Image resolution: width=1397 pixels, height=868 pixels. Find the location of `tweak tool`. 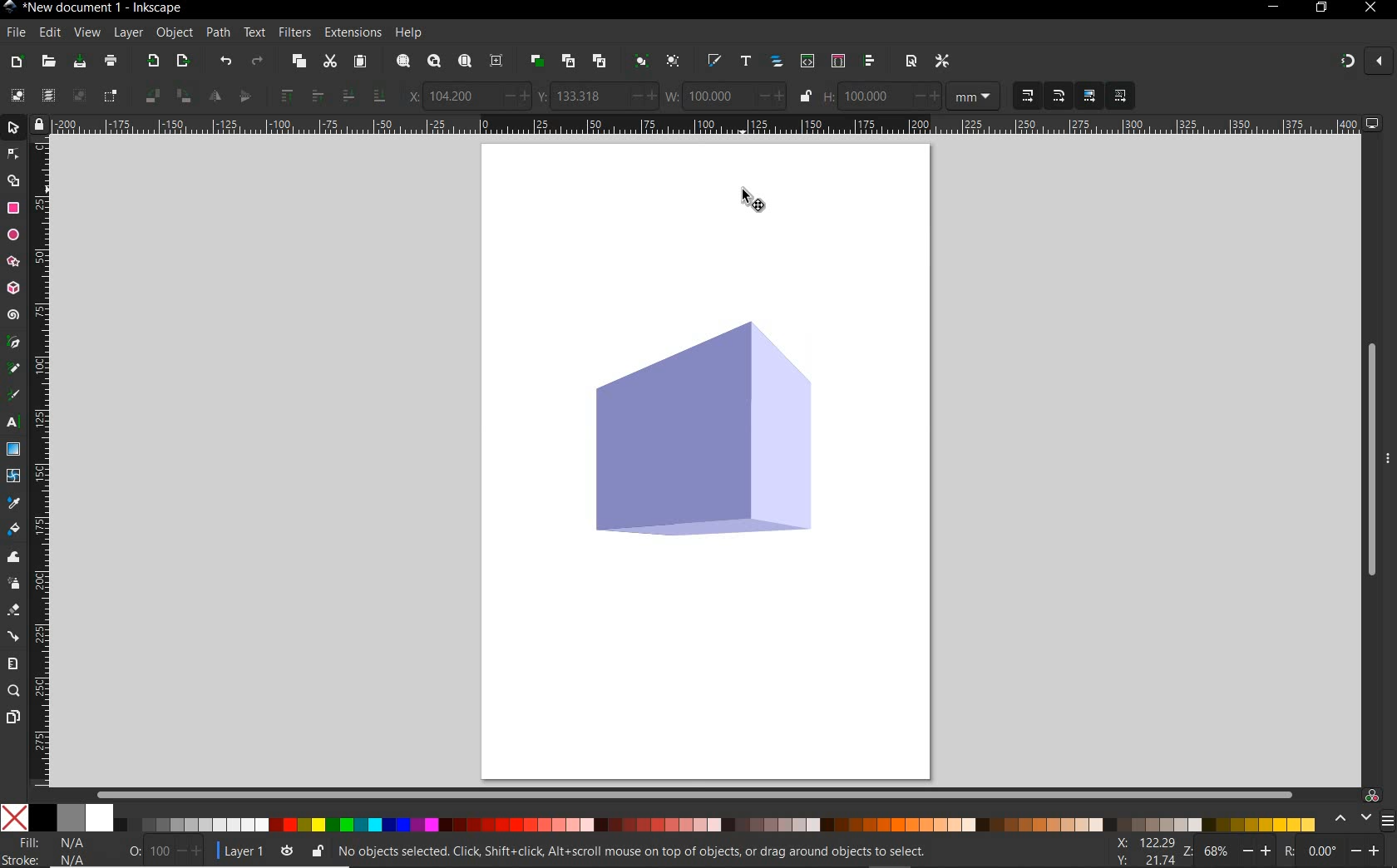

tweak tool is located at coordinates (13, 558).